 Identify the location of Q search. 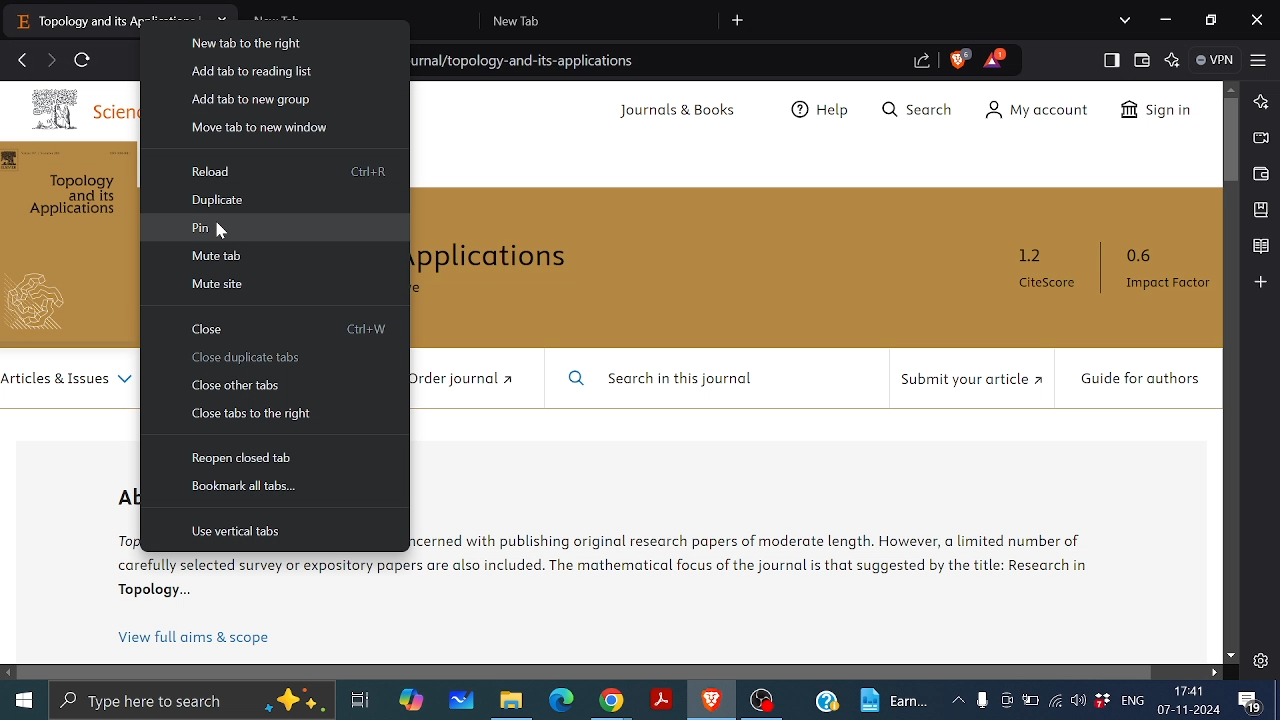
(923, 111).